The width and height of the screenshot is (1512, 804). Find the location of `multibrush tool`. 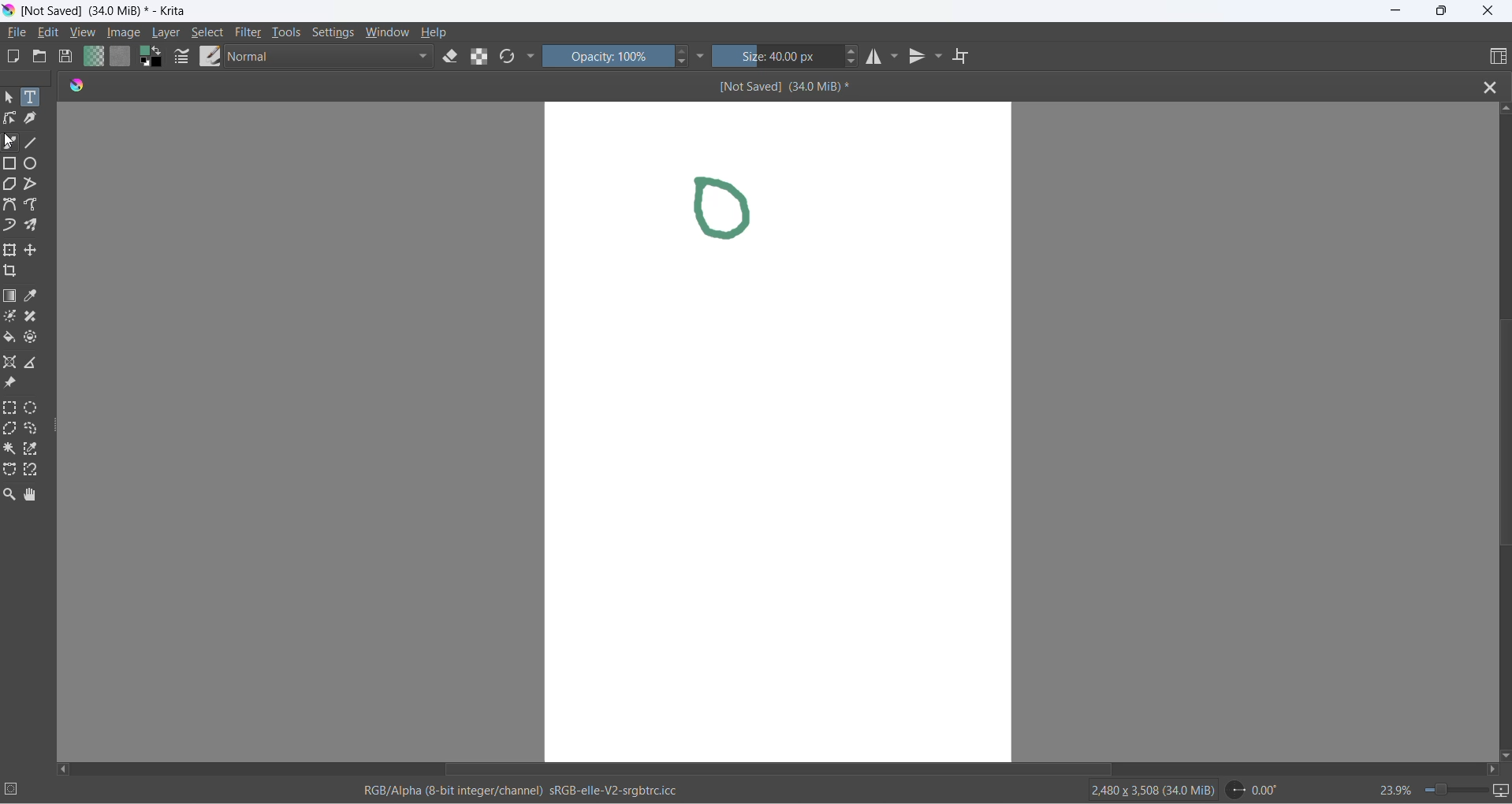

multibrush tool is located at coordinates (39, 226).